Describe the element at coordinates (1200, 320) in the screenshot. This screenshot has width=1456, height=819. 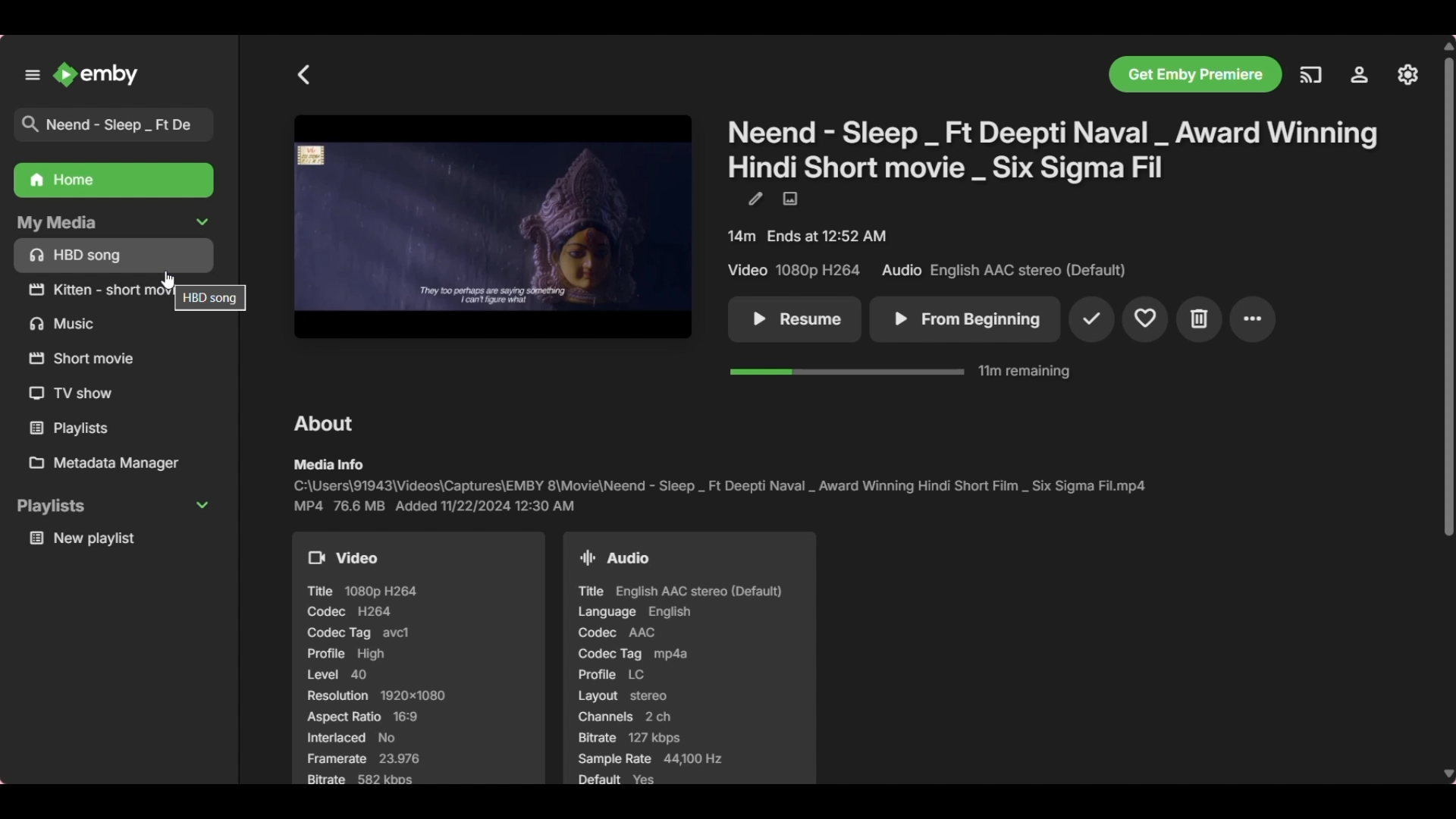
I see `Delete` at that location.